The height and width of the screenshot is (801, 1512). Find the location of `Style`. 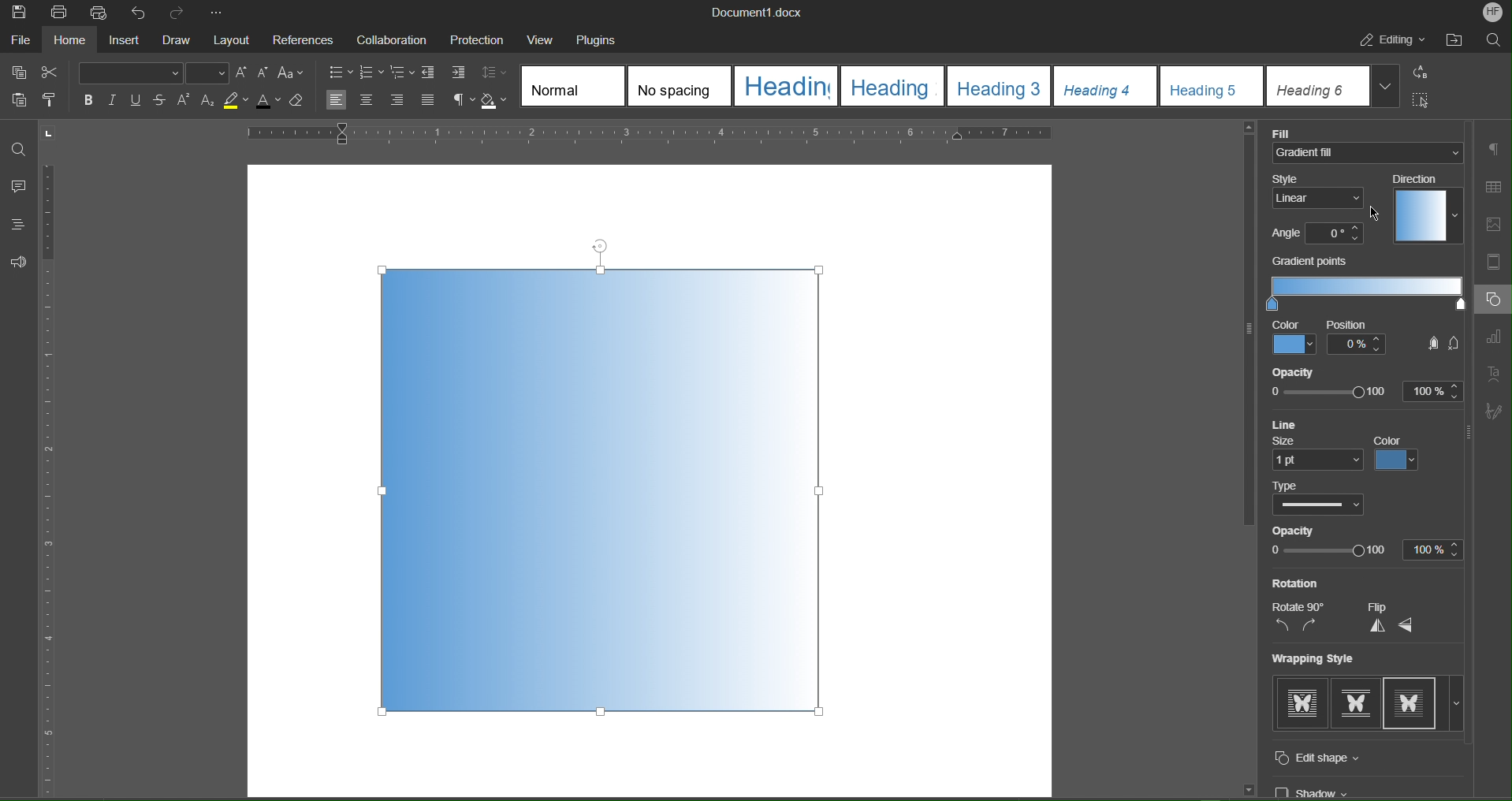

Style is located at coordinates (1319, 177).